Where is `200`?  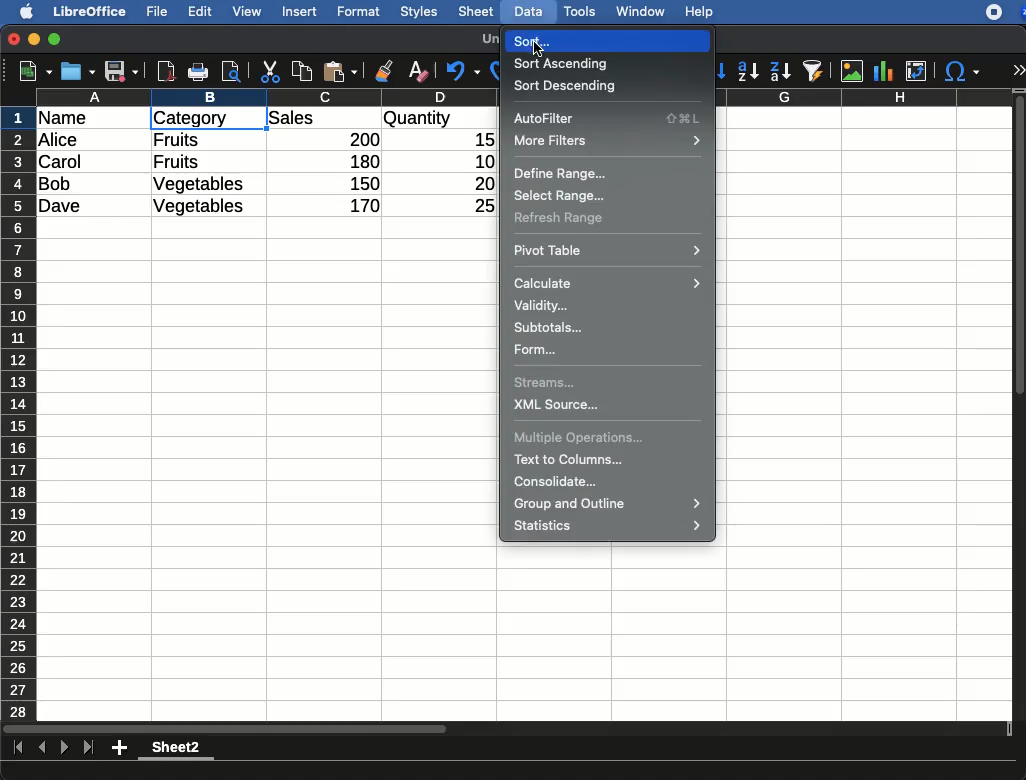 200 is located at coordinates (359, 139).